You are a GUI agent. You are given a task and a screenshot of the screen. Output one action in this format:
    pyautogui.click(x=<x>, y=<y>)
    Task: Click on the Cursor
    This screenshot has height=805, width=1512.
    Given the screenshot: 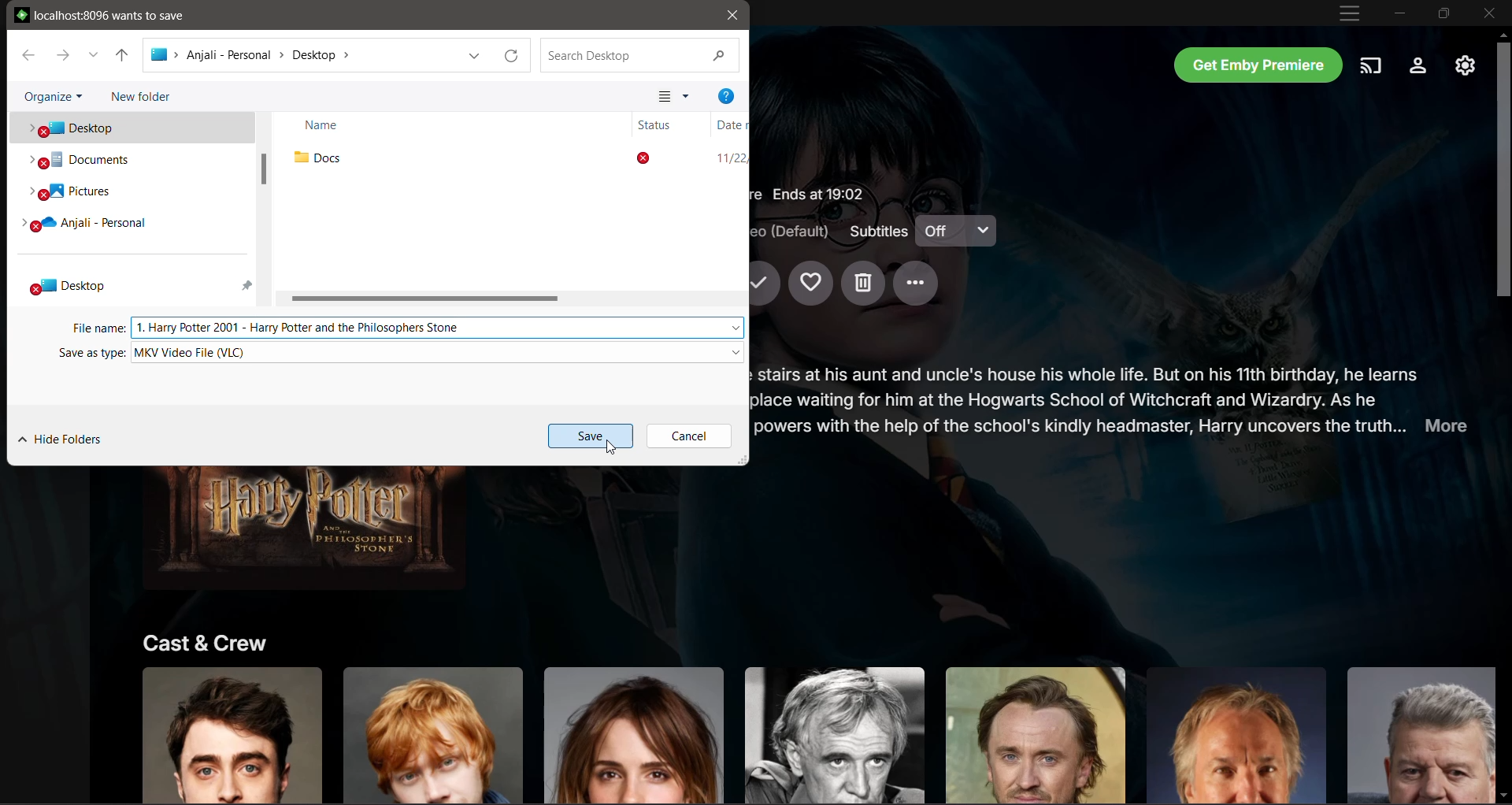 What is the action you would take?
    pyautogui.click(x=612, y=447)
    